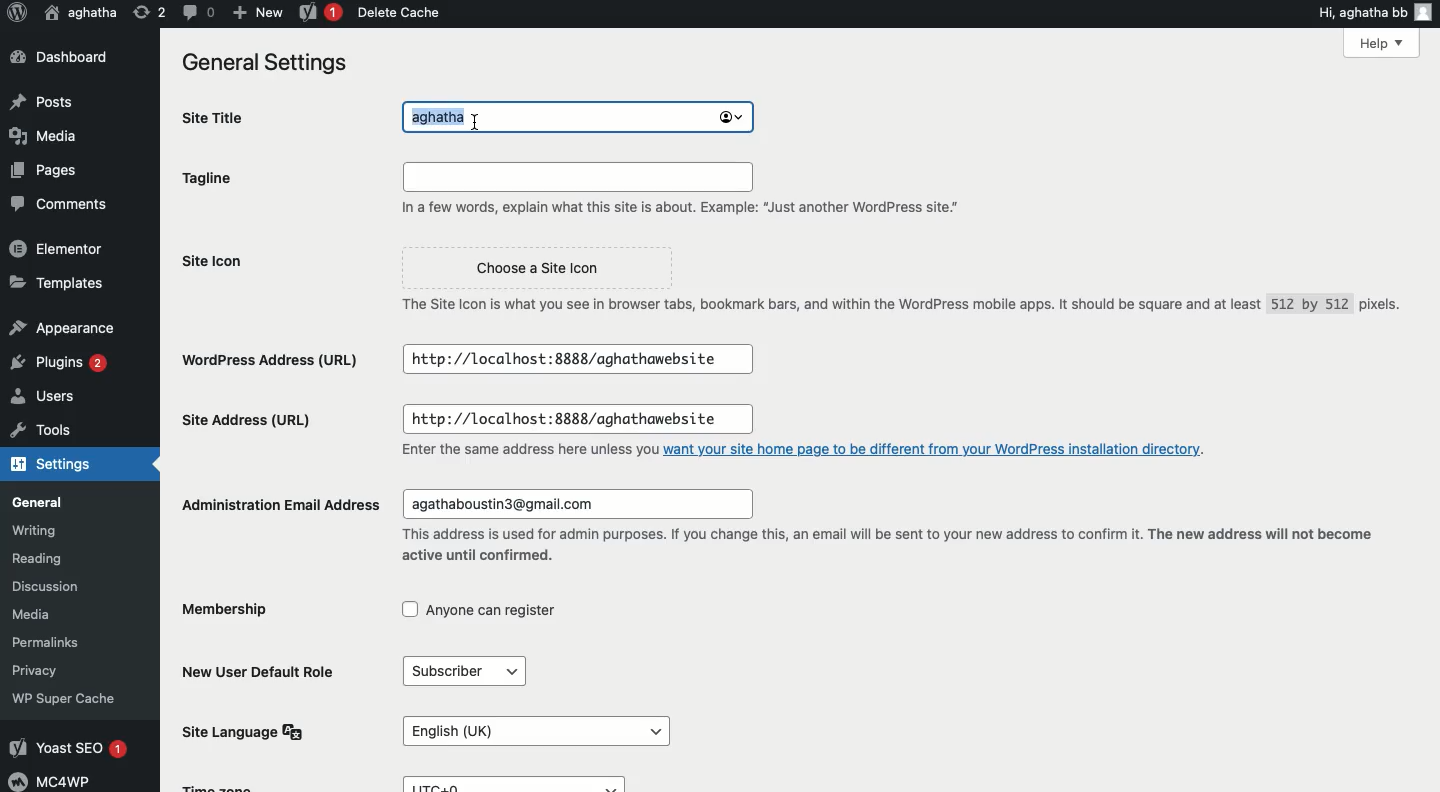 The image size is (1440, 792). I want to click on Templates, so click(56, 282).